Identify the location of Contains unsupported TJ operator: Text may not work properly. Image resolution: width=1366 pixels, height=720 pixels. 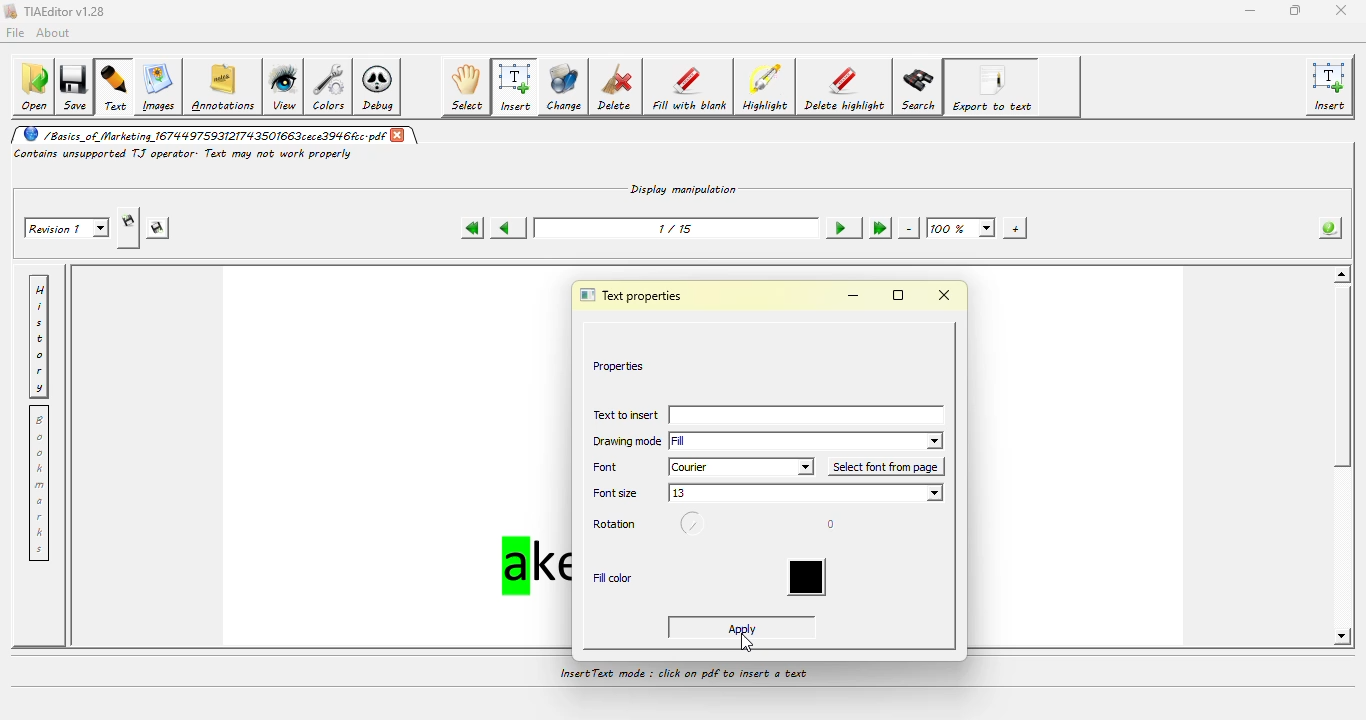
(184, 154).